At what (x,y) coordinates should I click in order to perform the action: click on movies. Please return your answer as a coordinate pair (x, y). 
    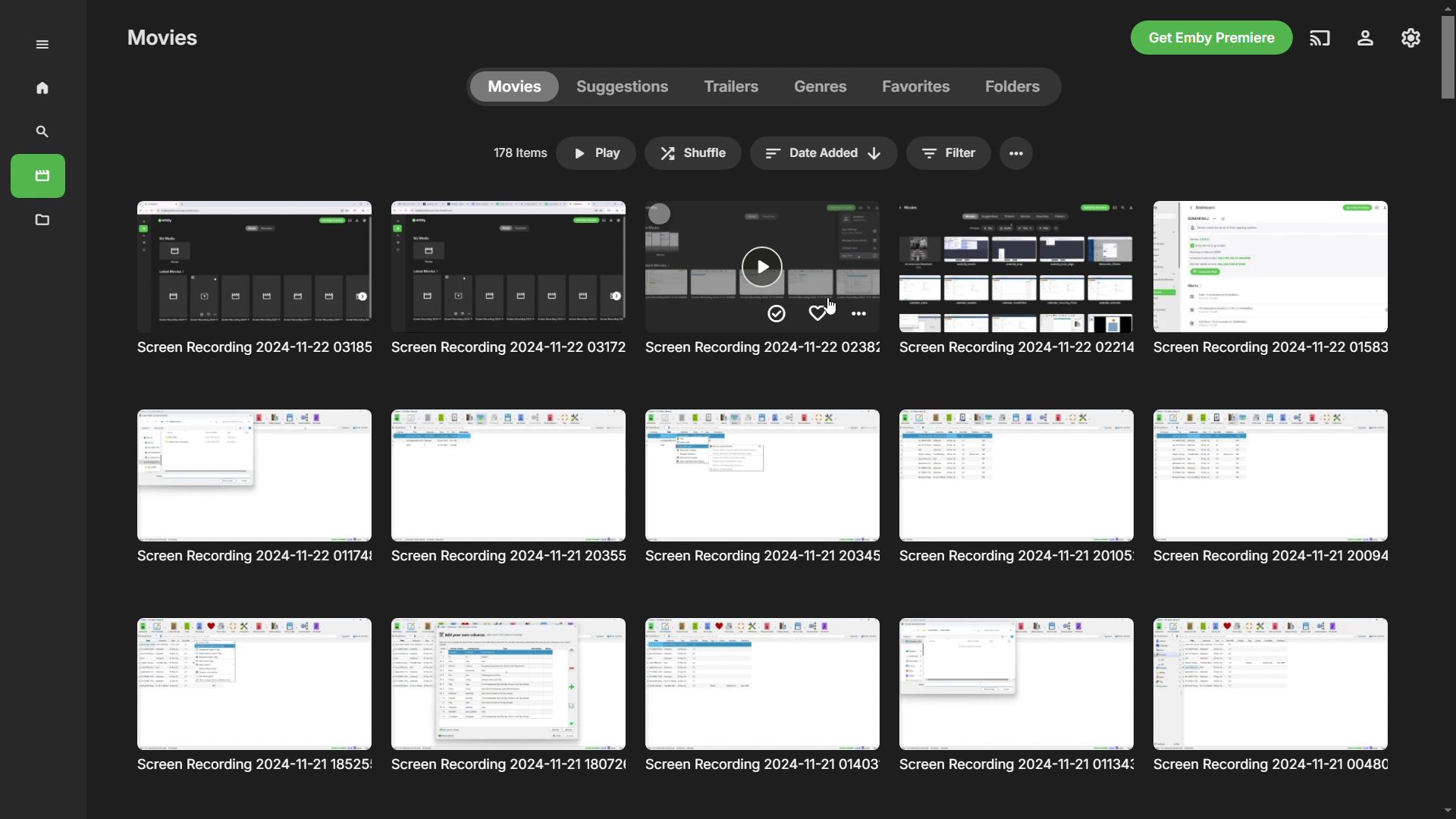
    Looking at the image, I should click on (252, 287).